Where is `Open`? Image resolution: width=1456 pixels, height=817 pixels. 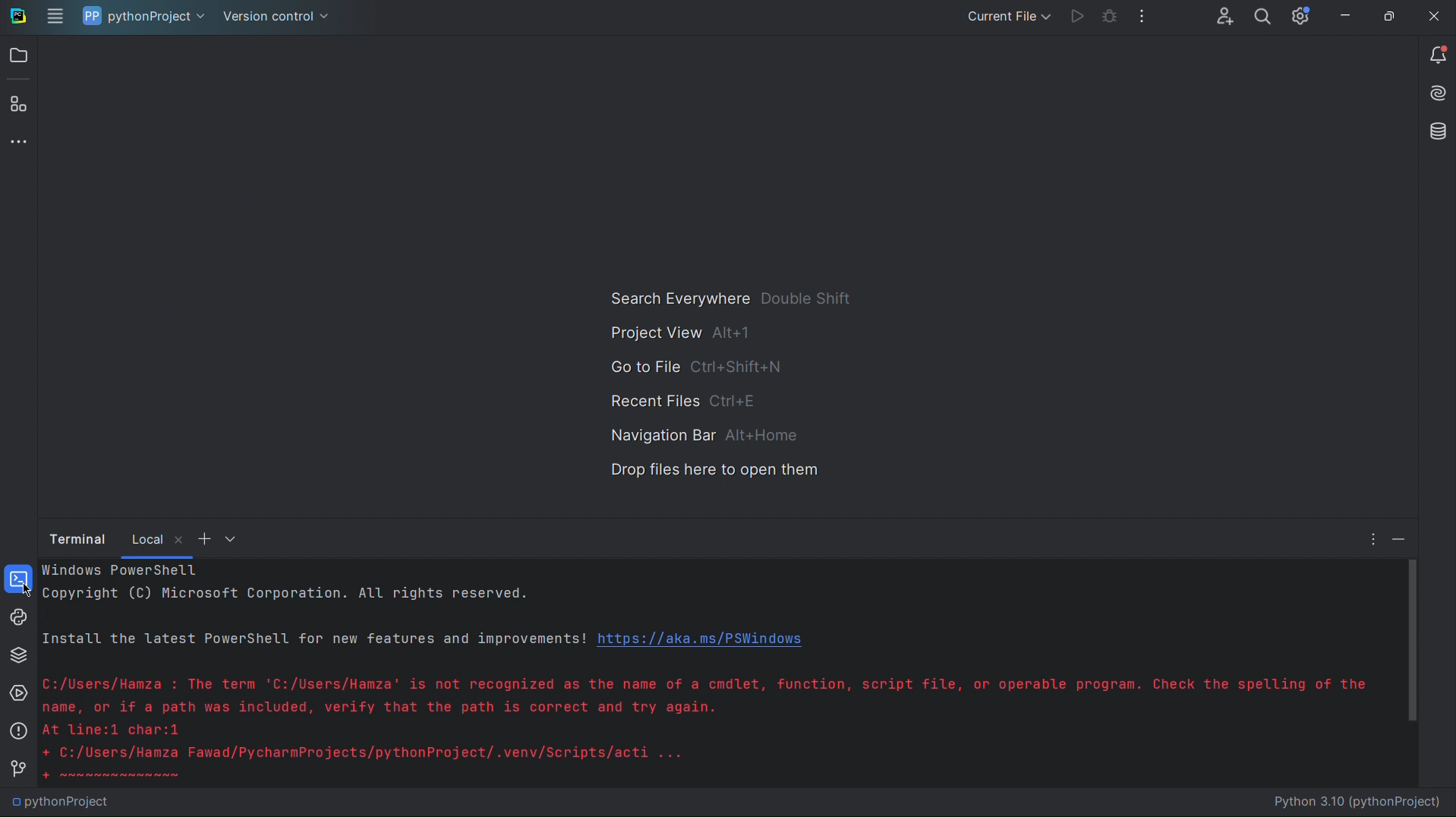
Open is located at coordinates (17, 55).